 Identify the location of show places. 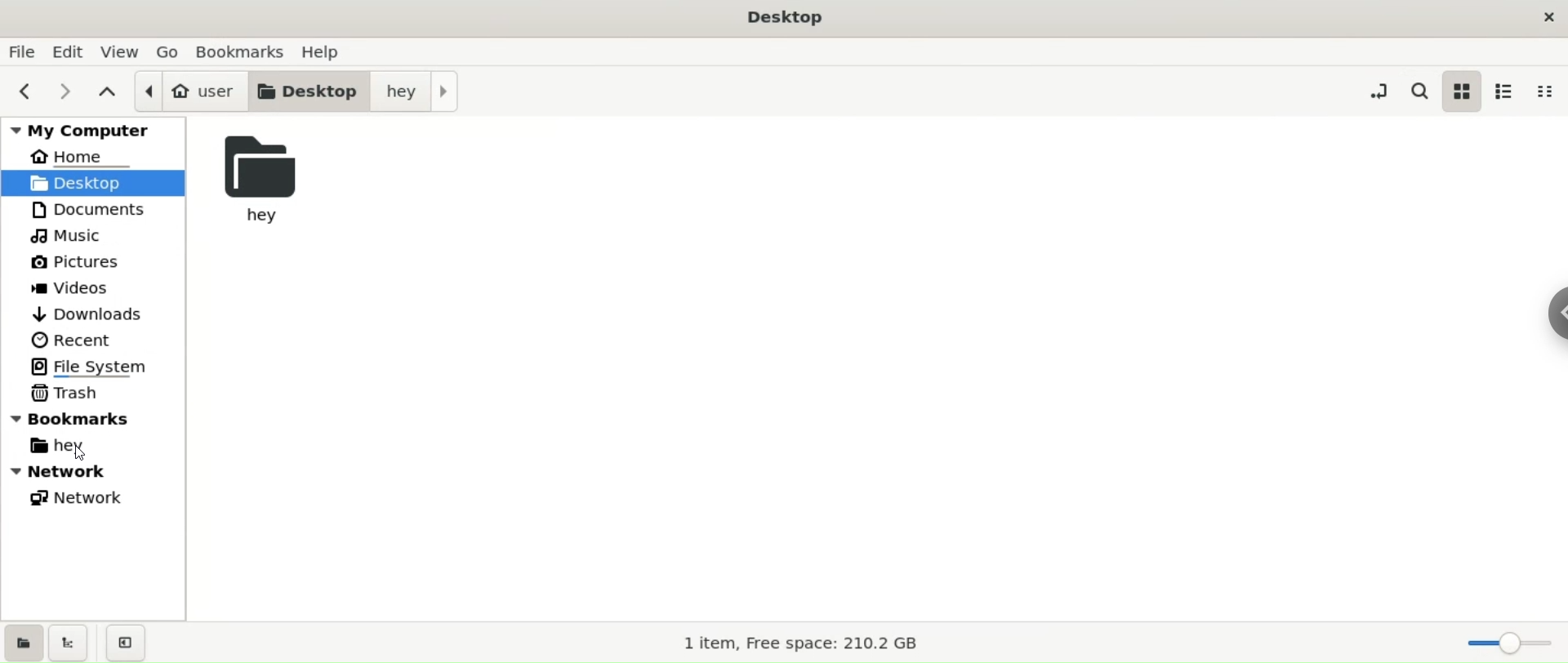
(28, 643).